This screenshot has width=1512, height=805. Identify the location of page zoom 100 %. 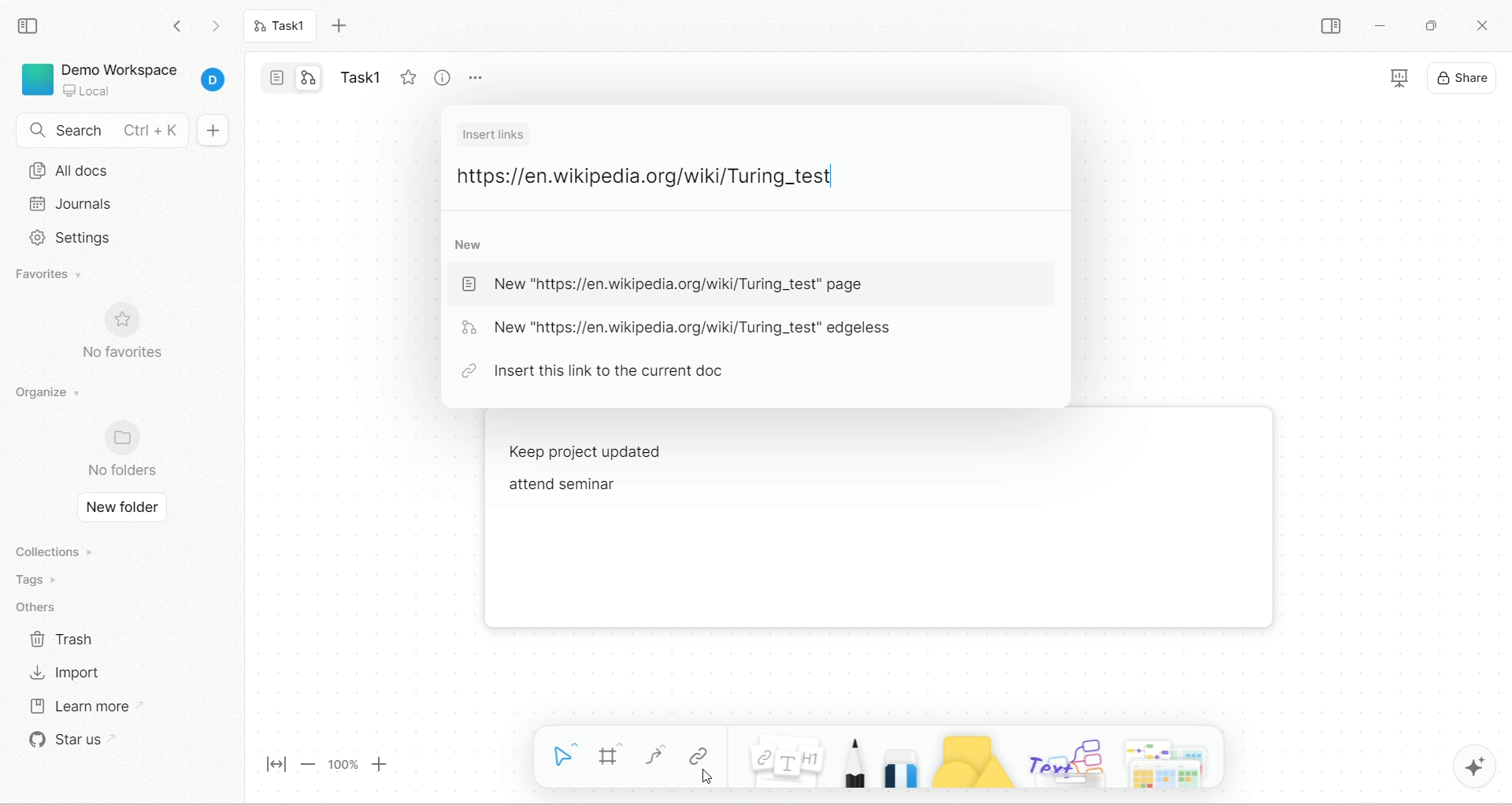
(322, 764).